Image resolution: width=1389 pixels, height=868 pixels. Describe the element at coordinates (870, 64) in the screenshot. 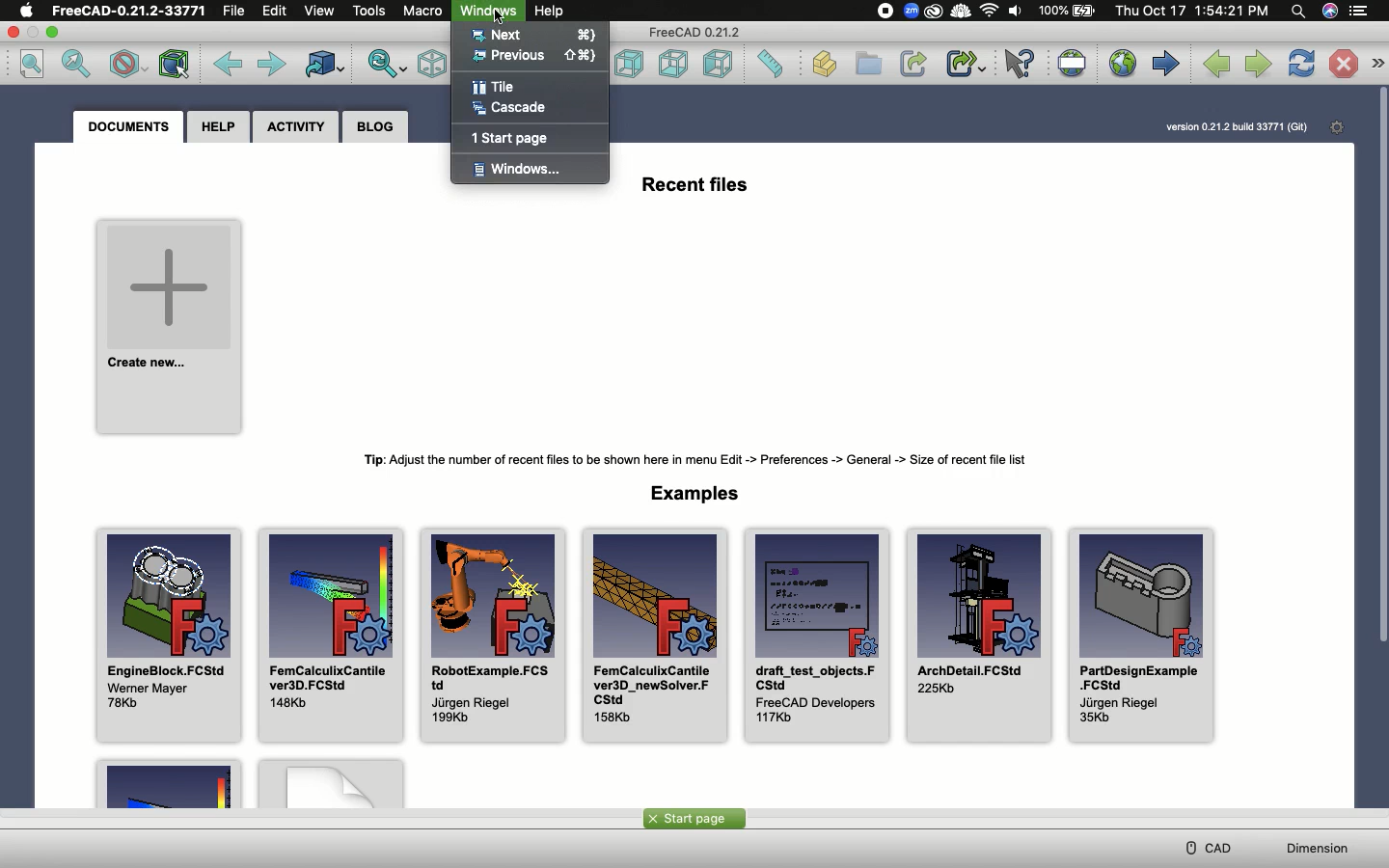

I see `Create group` at that location.